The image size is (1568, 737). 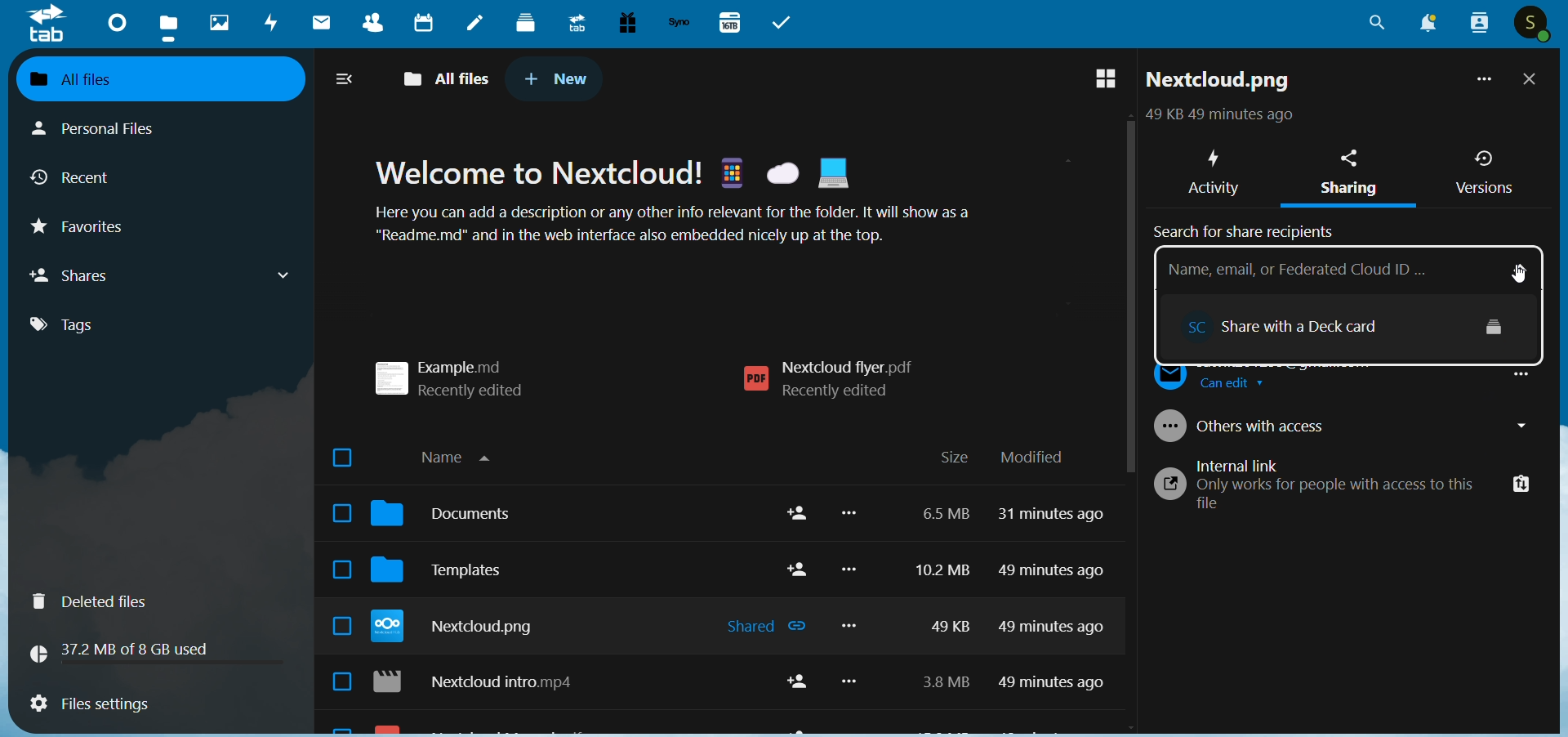 I want to click on others with link, so click(x=1347, y=424).